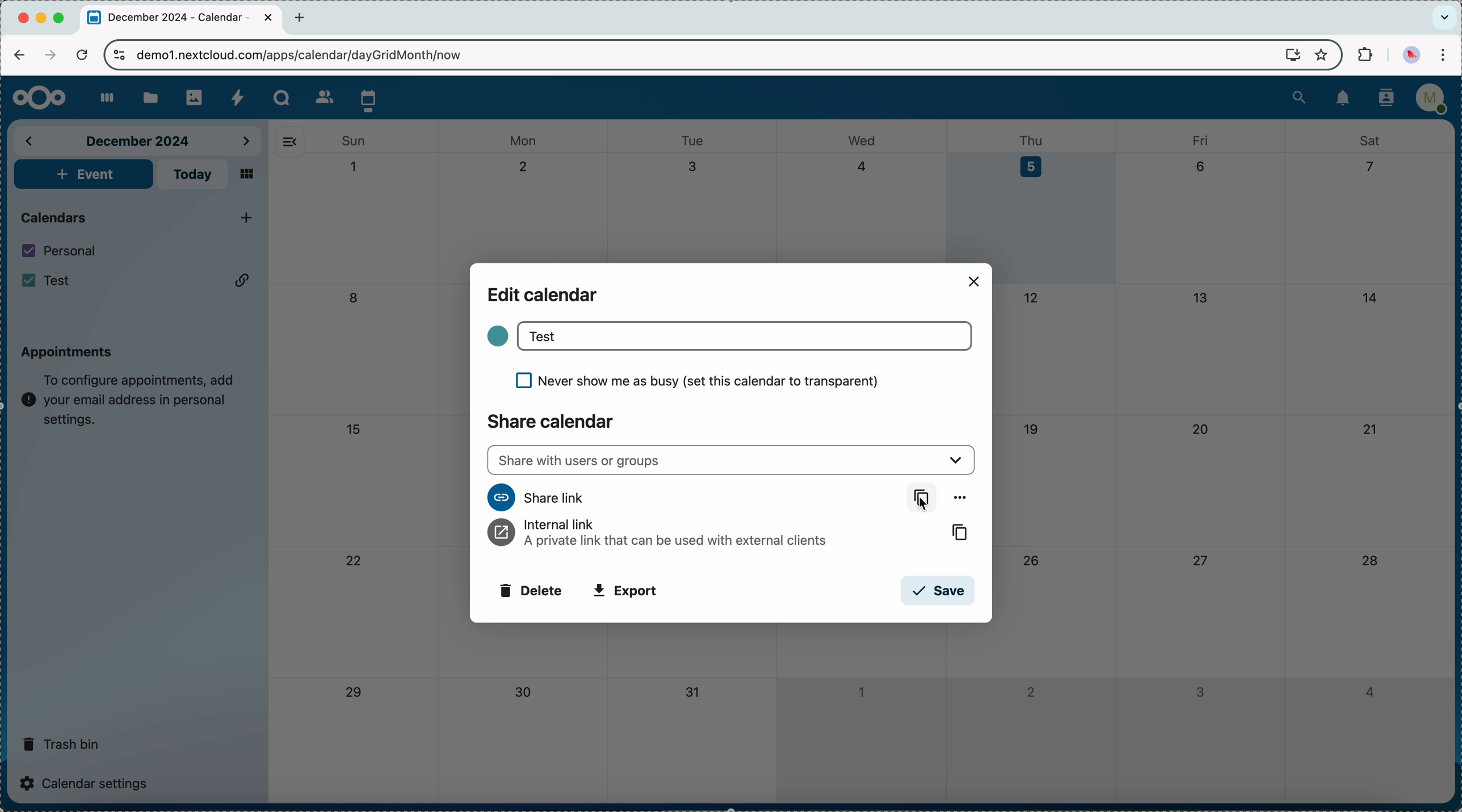  Describe the element at coordinates (81, 54) in the screenshot. I see `refresh the page` at that location.